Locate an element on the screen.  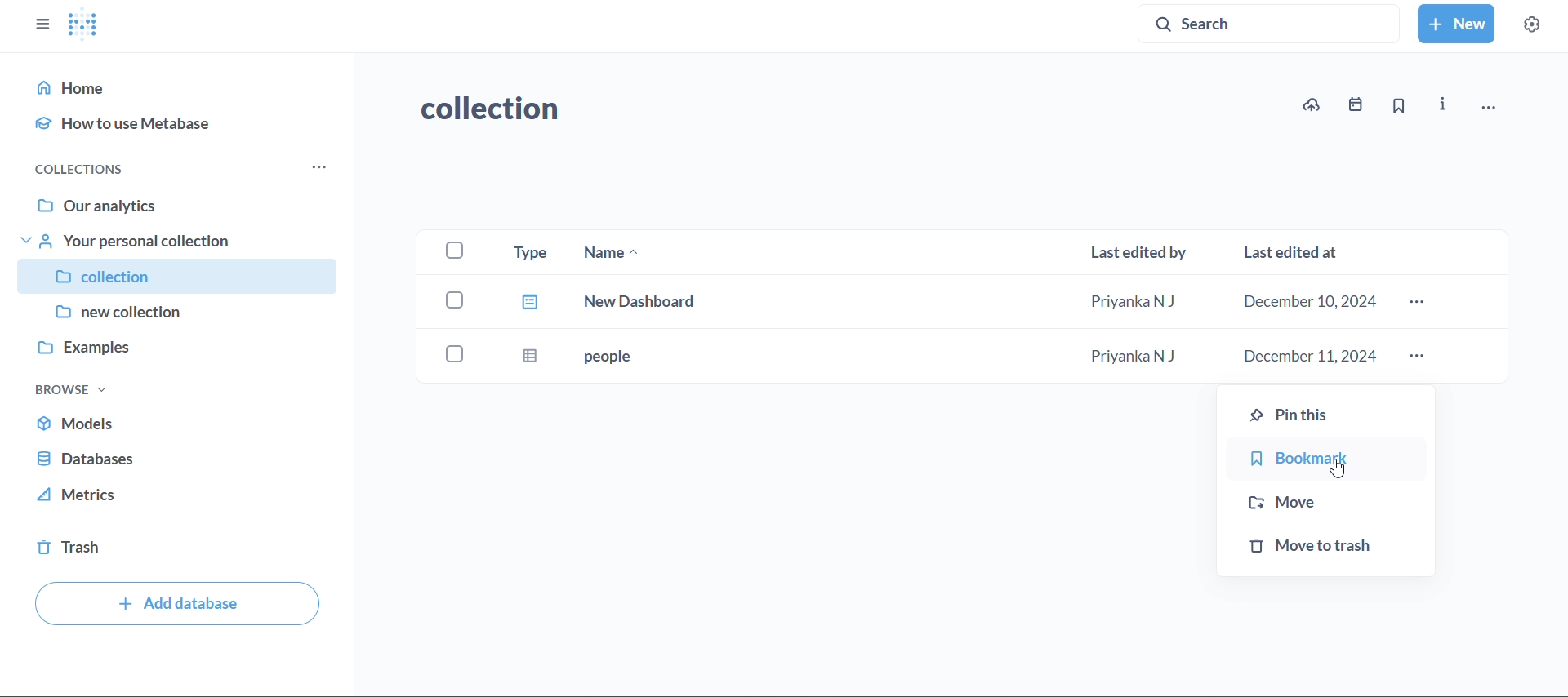
december 10,2024 is located at coordinates (1306, 303).